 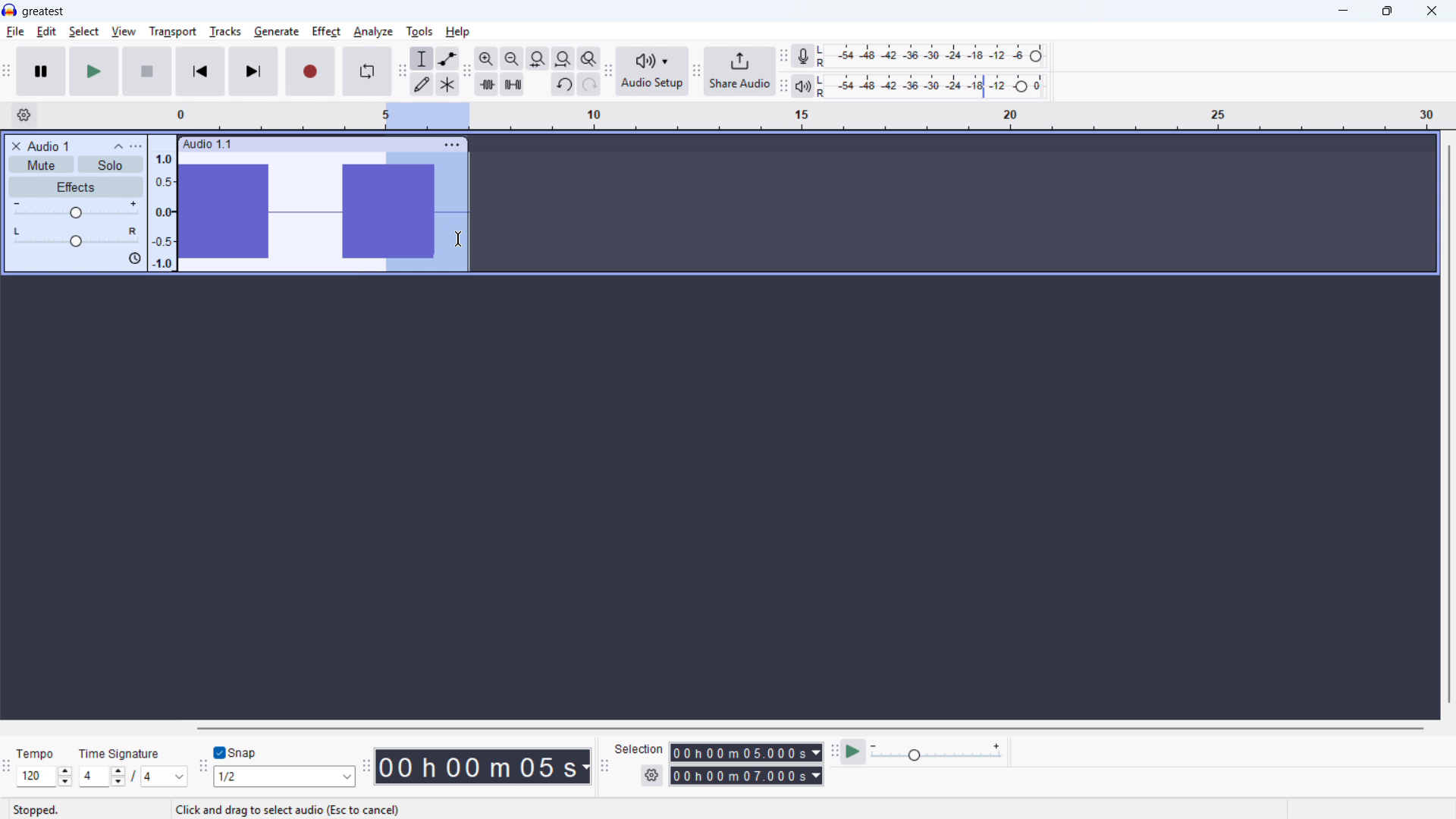 I want to click on tracks, so click(x=226, y=32).